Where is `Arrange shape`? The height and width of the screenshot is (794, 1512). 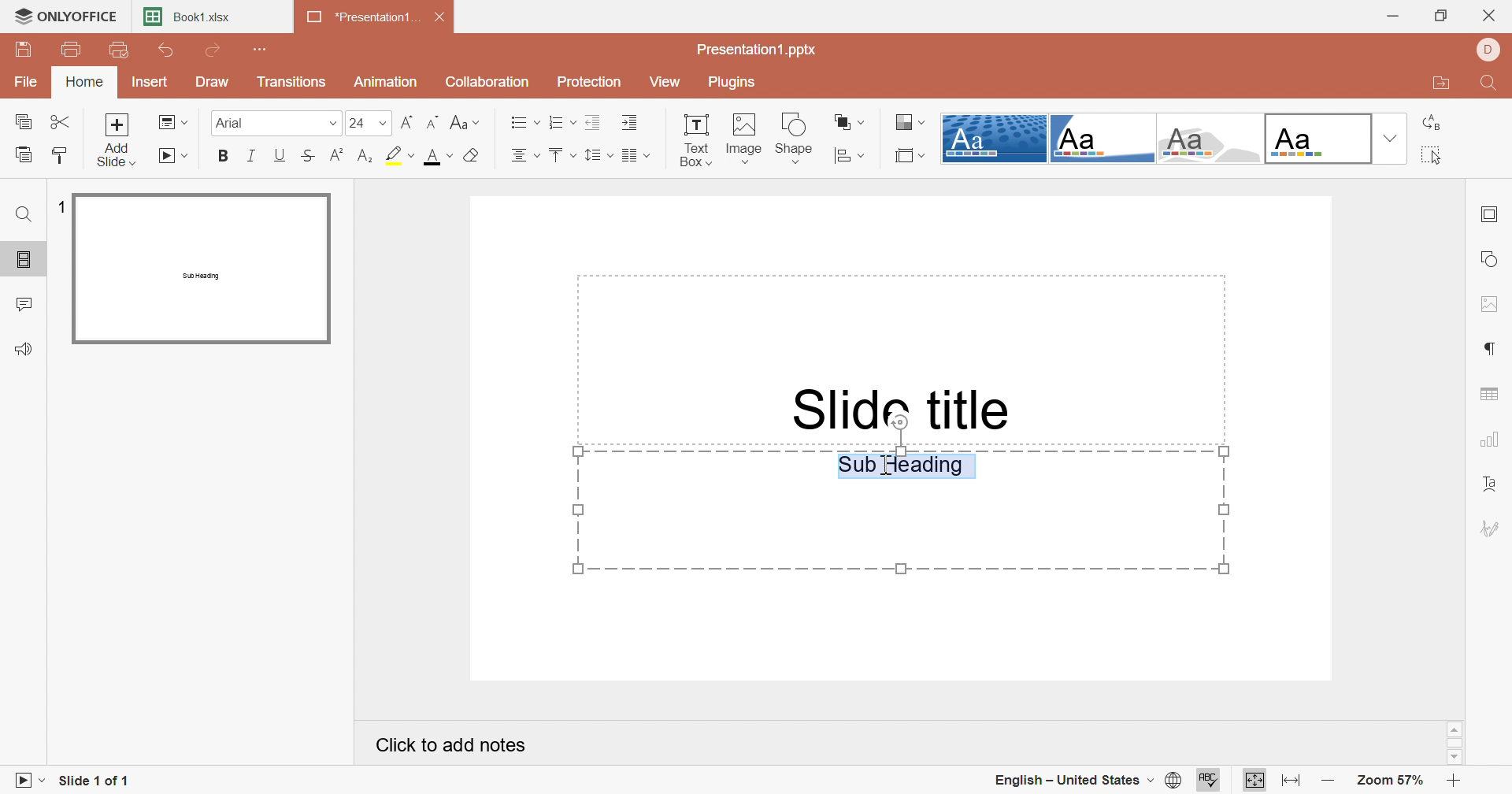 Arrange shape is located at coordinates (846, 121).